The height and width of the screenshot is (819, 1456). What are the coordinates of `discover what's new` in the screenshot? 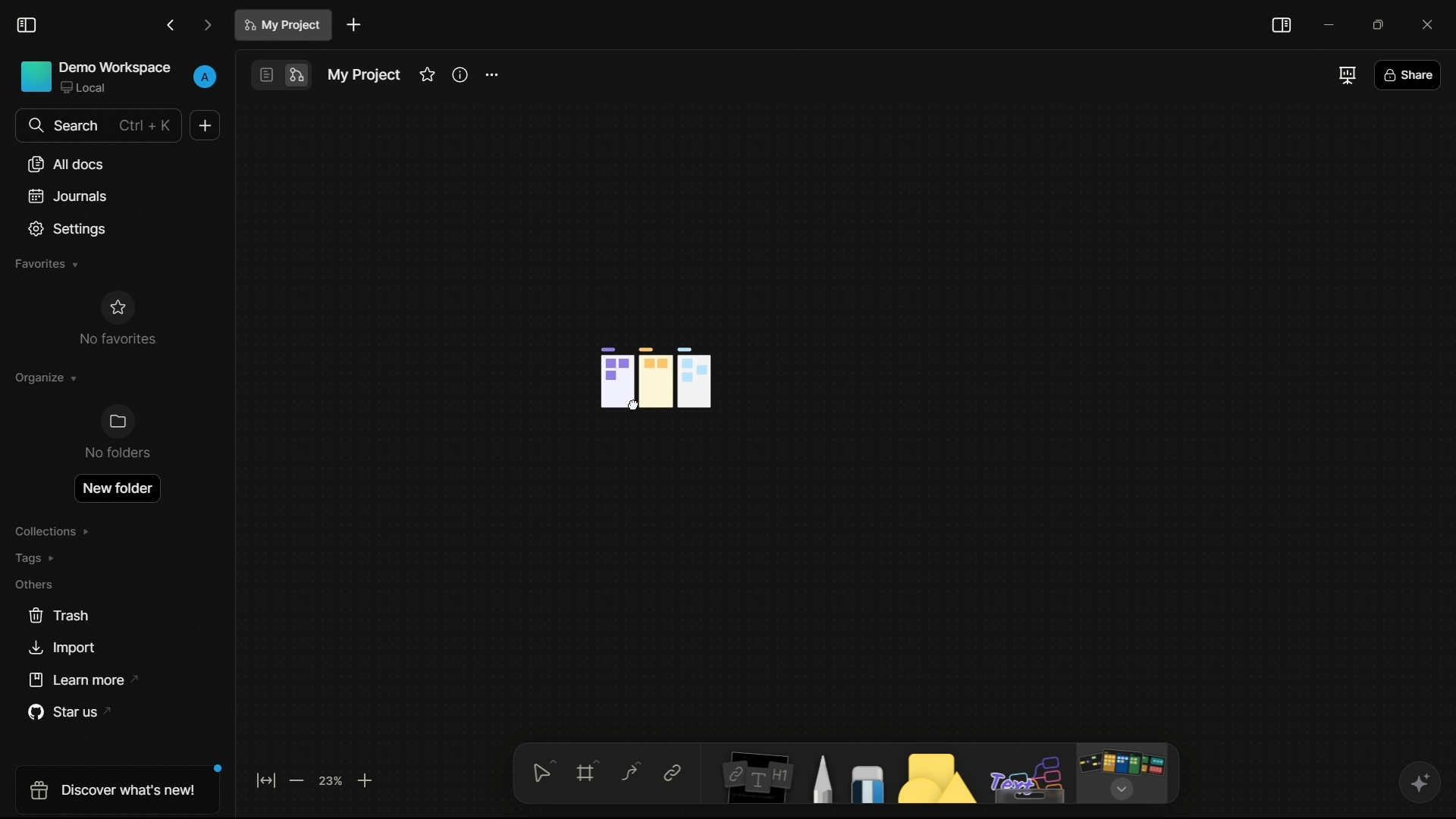 It's located at (121, 789).